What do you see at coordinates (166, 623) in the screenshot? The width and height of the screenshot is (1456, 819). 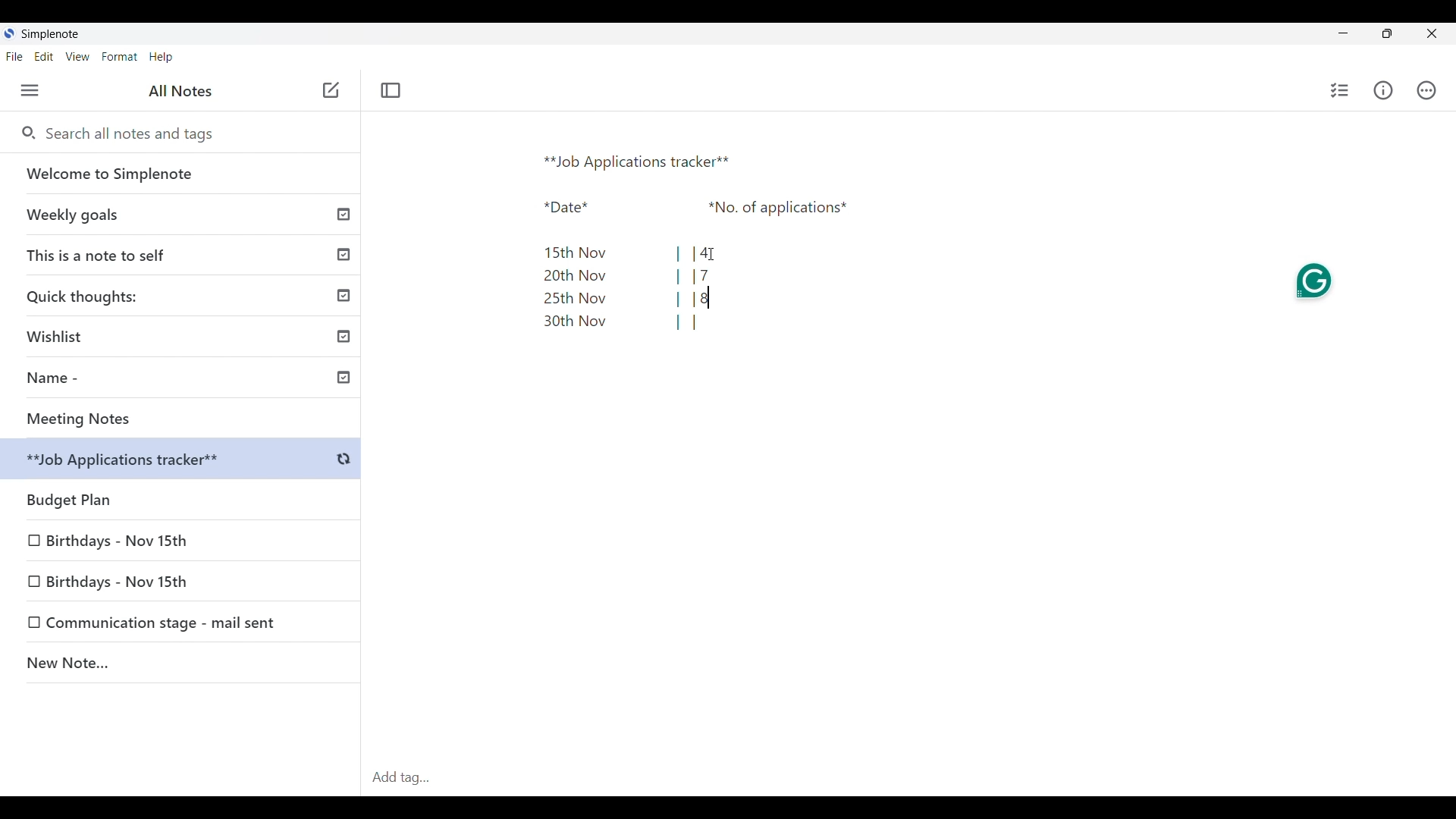 I see `Communication stage - mail sent` at bounding box center [166, 623].